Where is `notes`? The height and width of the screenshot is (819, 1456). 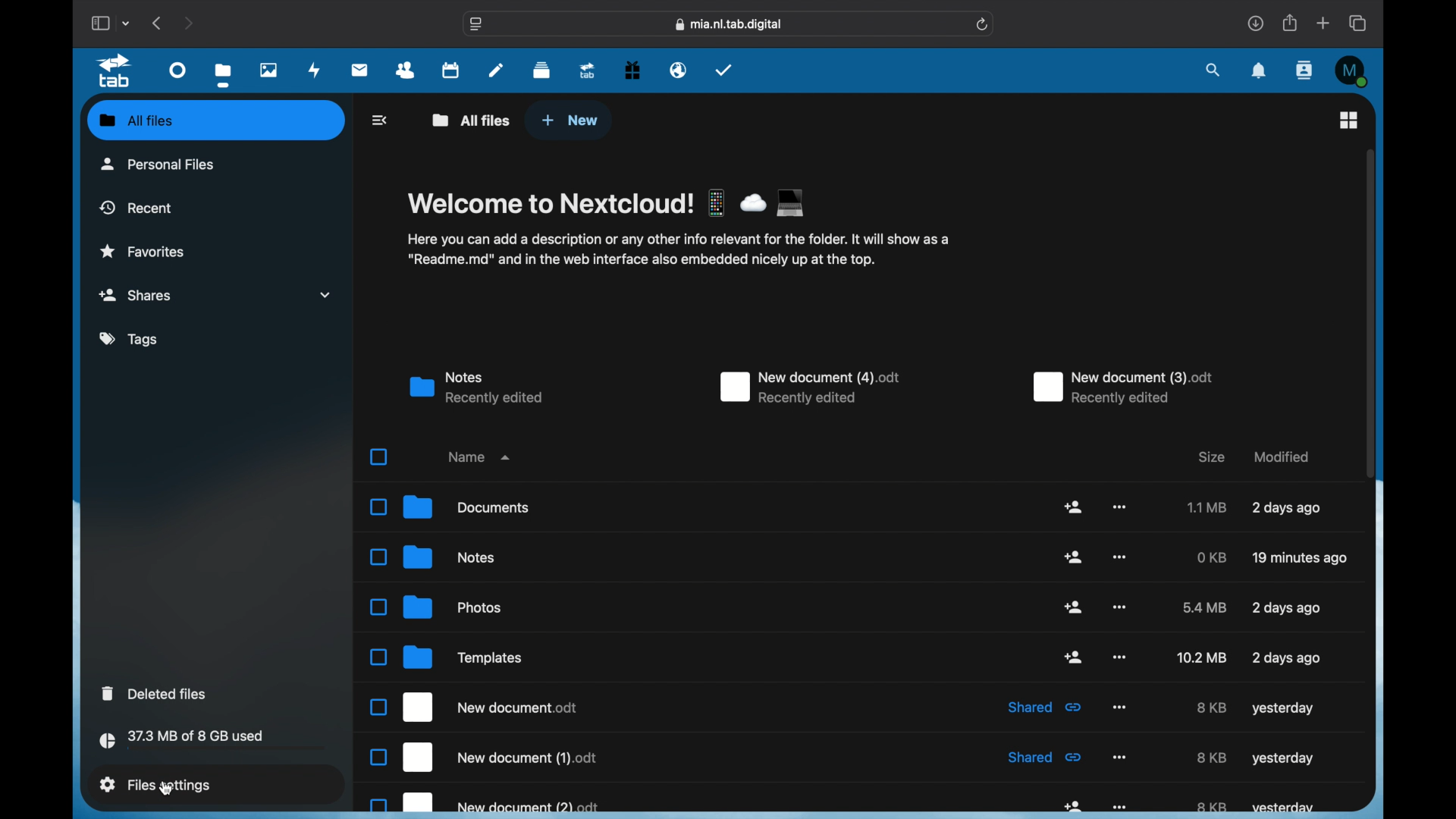
notes is located at coordinates (432, 557).